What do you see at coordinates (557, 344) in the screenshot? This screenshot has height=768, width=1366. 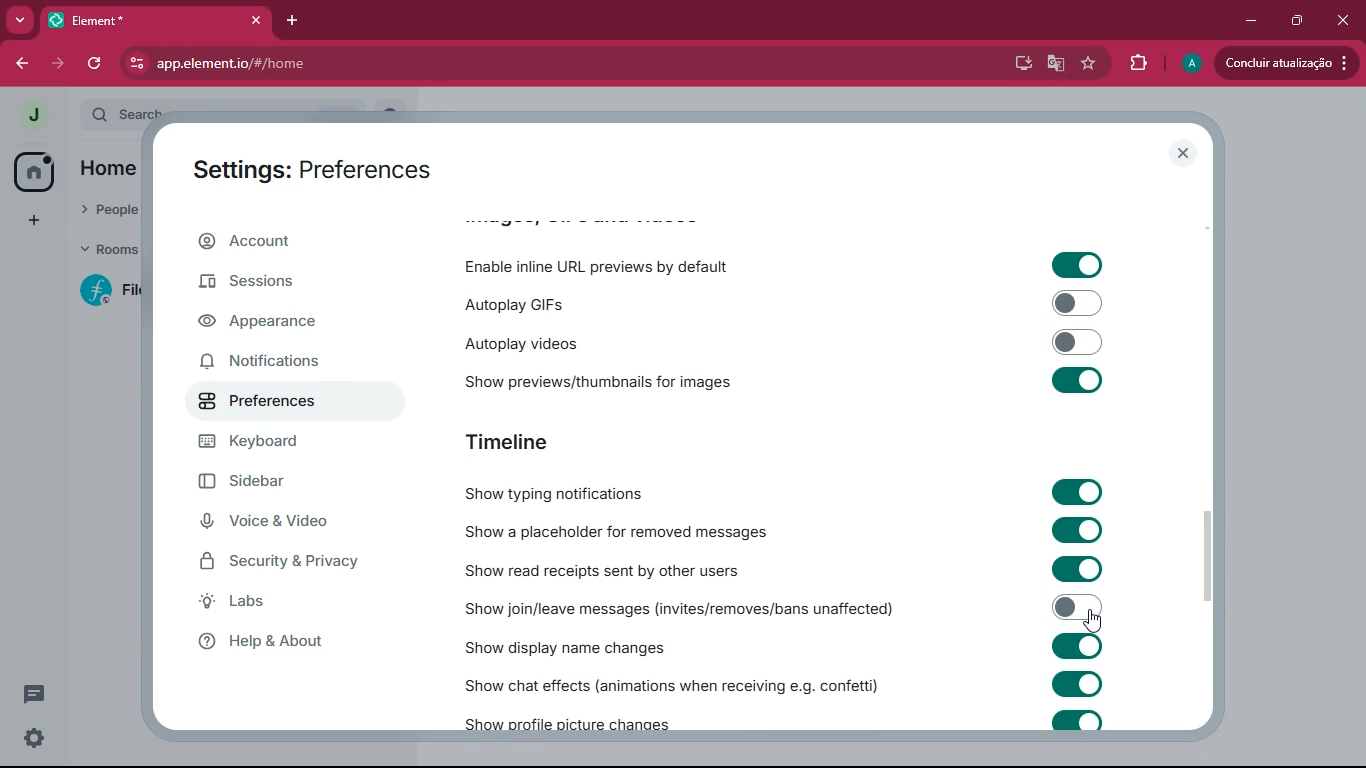 I see `autoplay videos` at bounding box center [557, 344].